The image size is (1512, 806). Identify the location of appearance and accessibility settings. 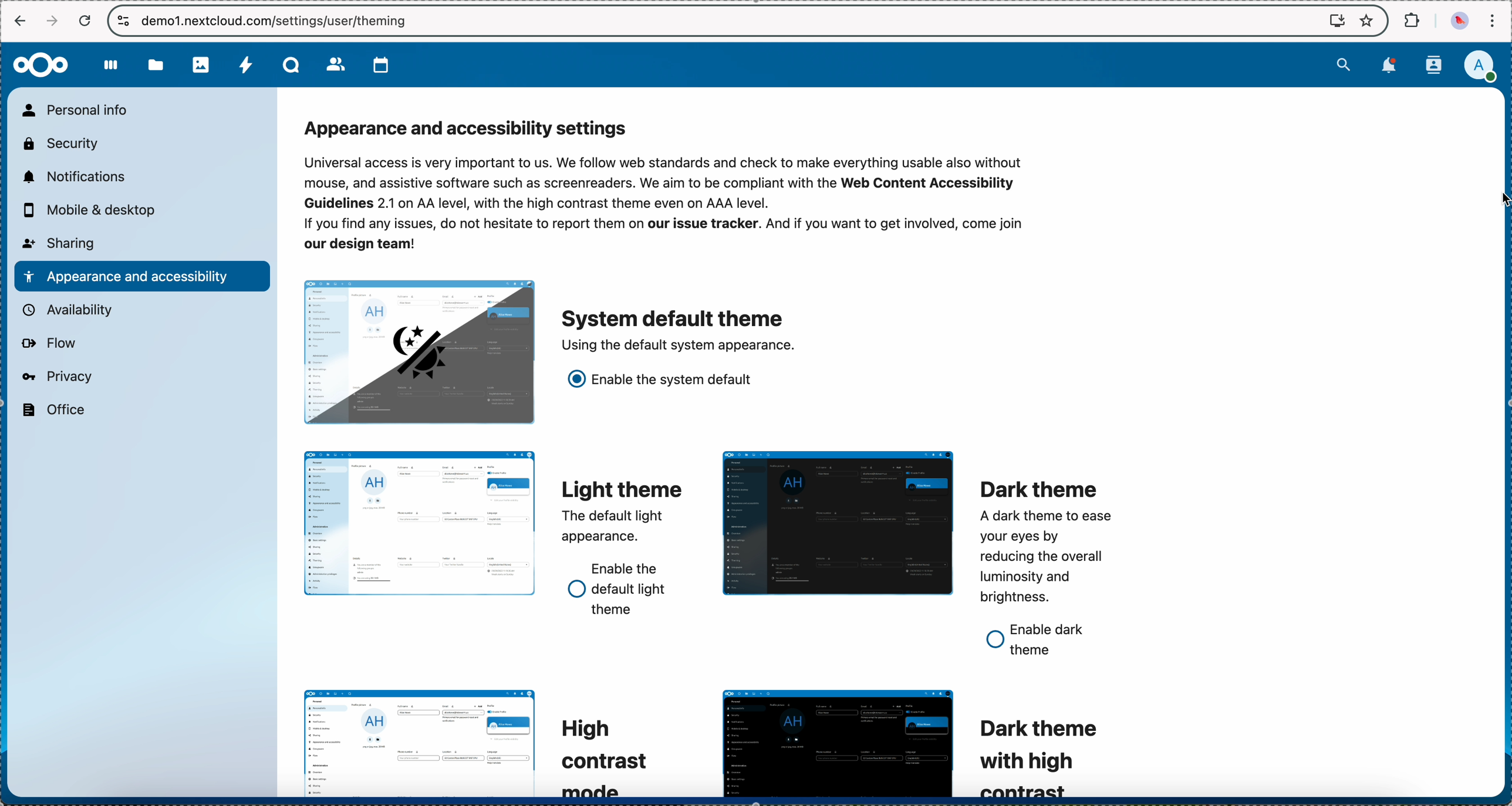
(471, 129).